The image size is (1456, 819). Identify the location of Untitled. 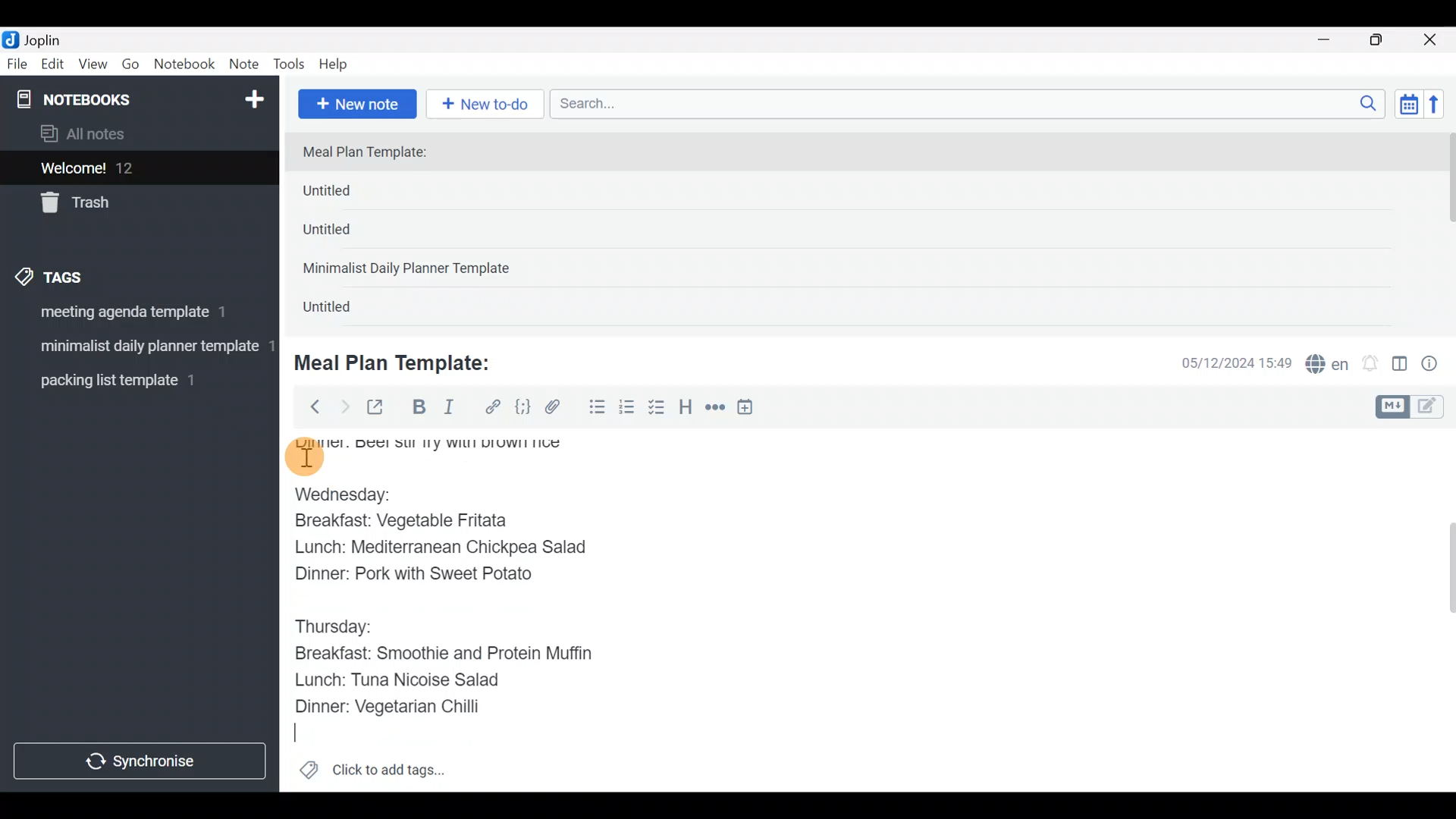
(347, 234).